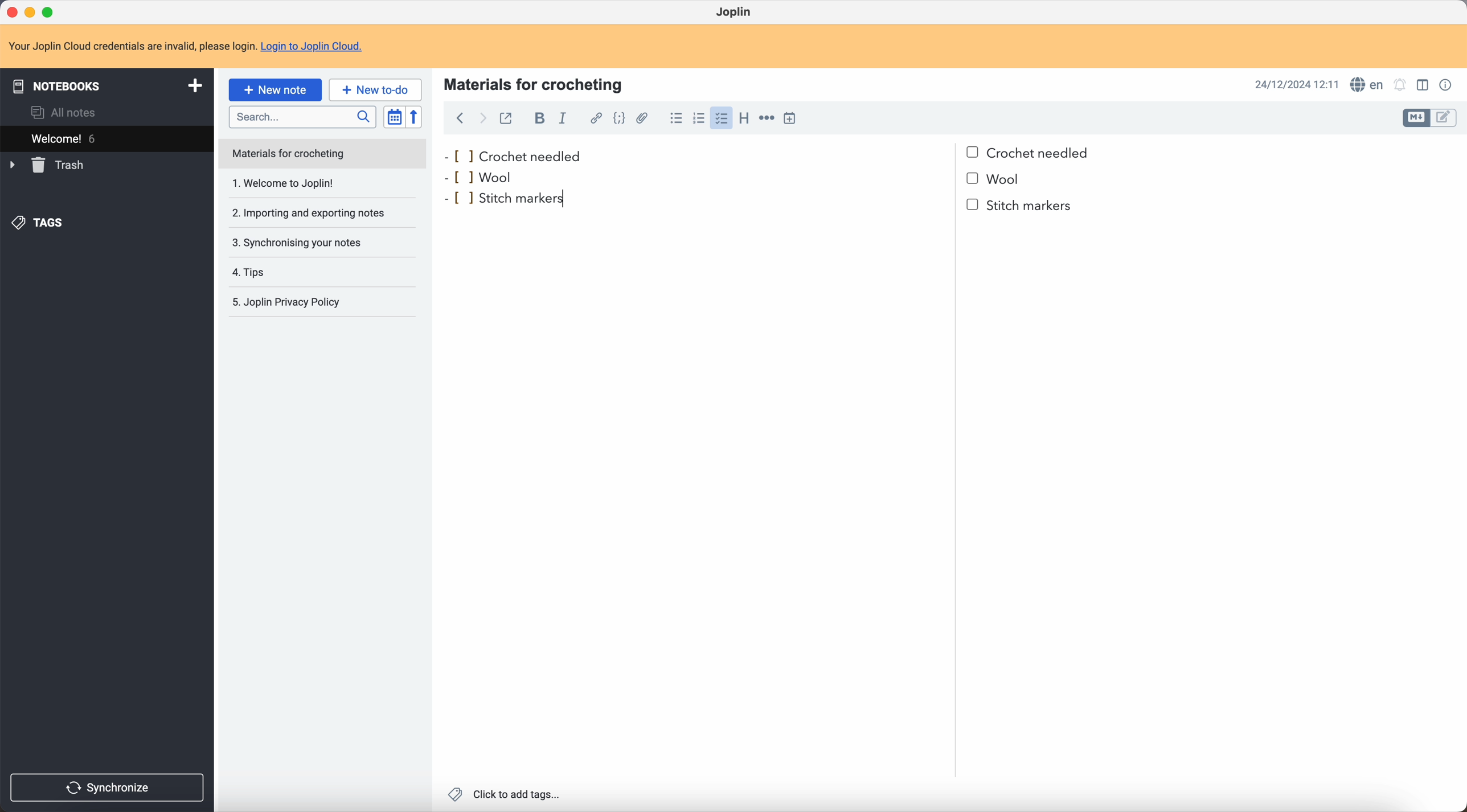 The image size is (1467, 812). I want to click on bullet point, so click(453, 175).